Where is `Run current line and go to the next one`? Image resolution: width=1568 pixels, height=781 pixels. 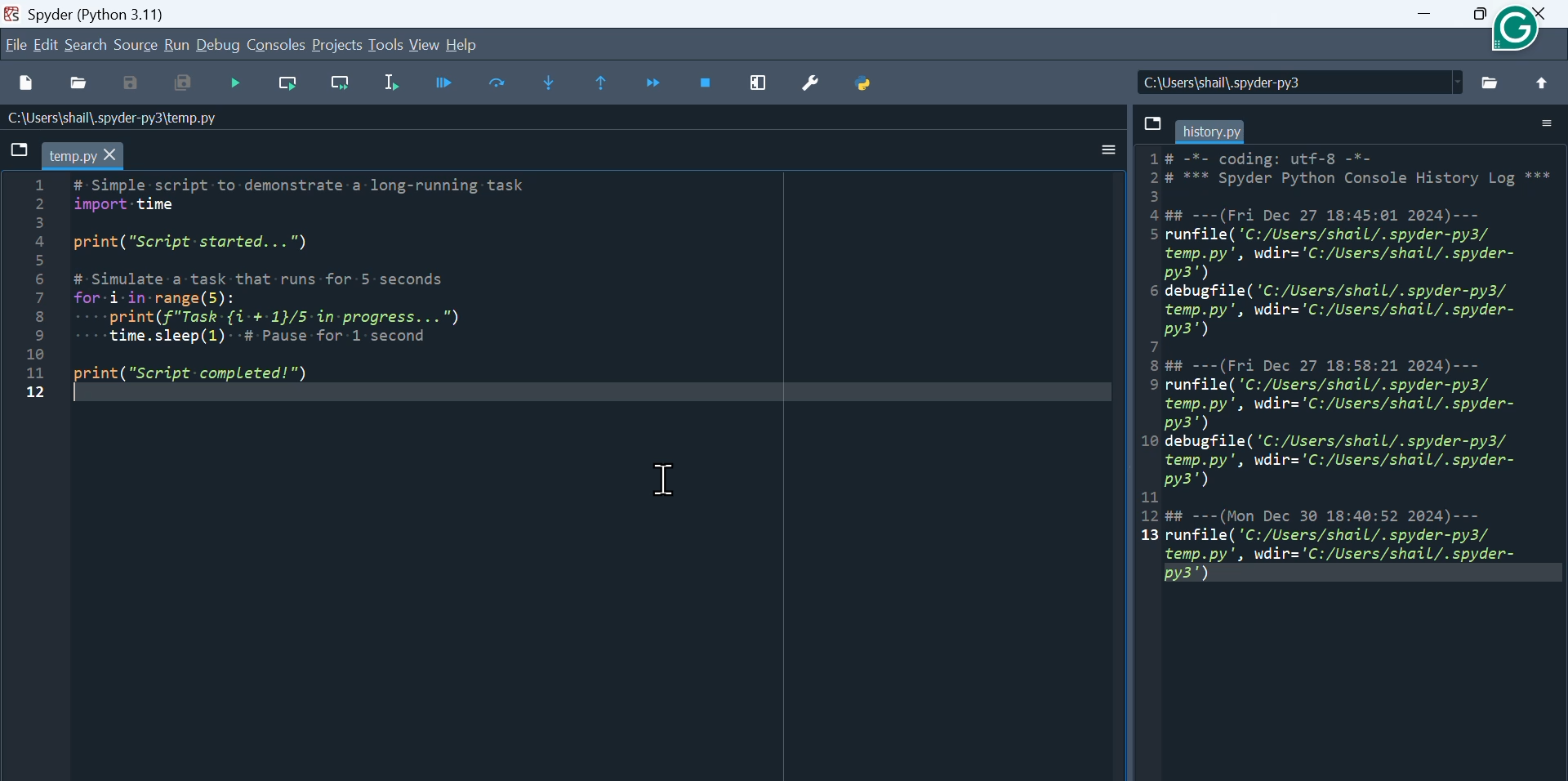
Run current line and go to the next one is located at coordinates (339, 83).